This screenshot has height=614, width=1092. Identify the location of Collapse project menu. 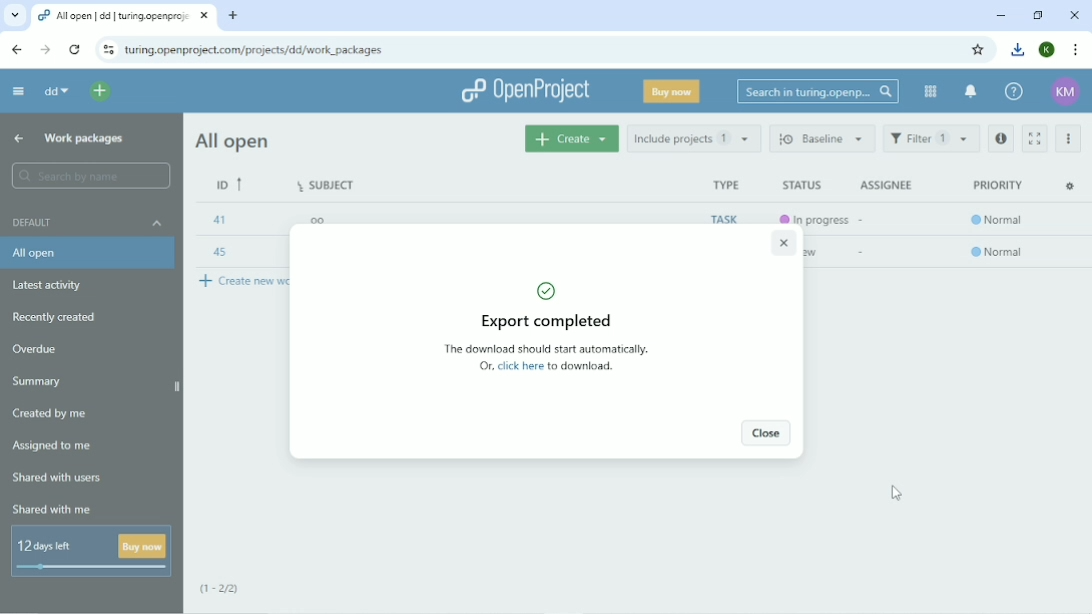
(18, 91).